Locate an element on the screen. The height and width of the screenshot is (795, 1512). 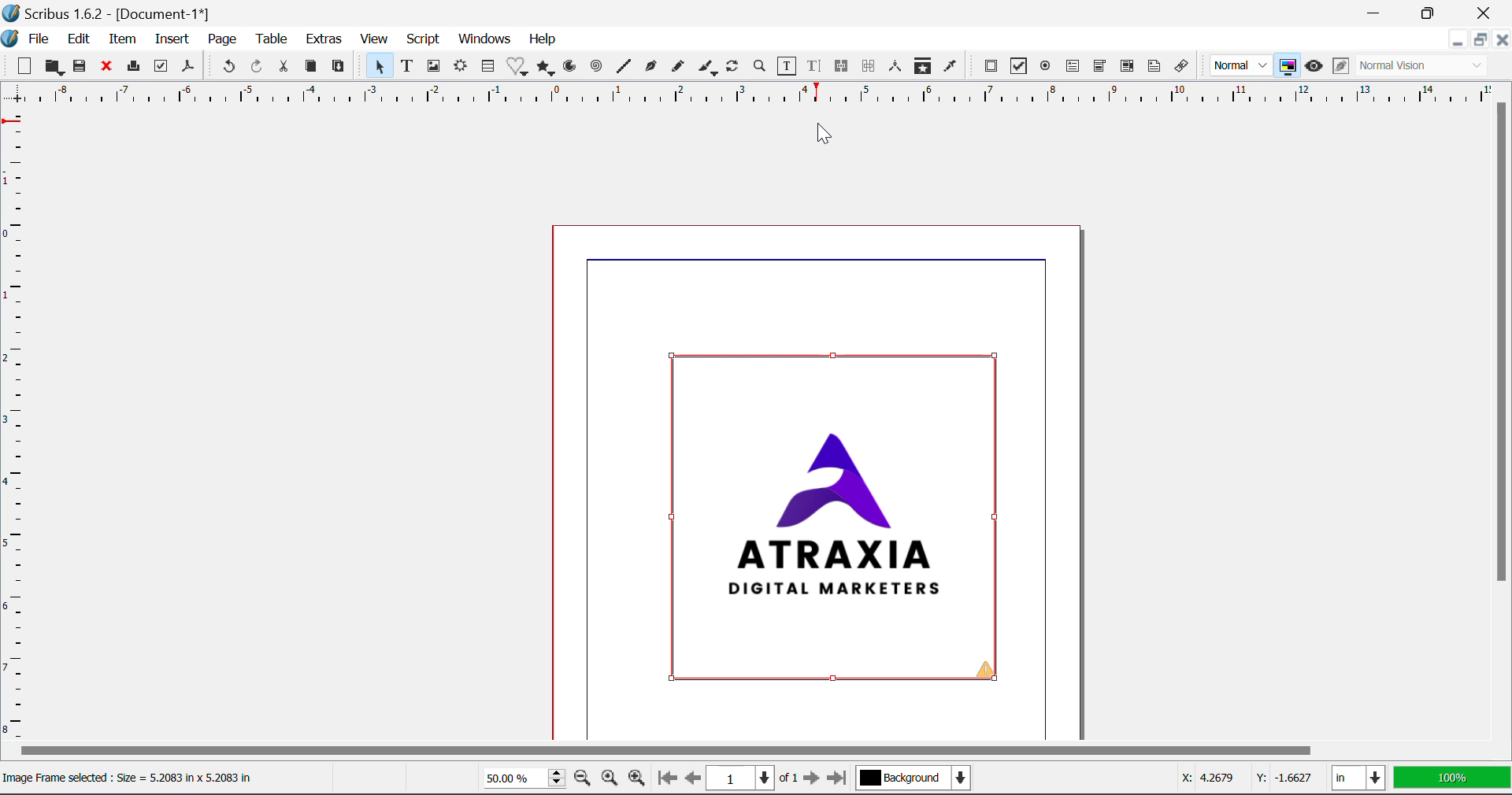
Close is located at coordinates (1484, 13).